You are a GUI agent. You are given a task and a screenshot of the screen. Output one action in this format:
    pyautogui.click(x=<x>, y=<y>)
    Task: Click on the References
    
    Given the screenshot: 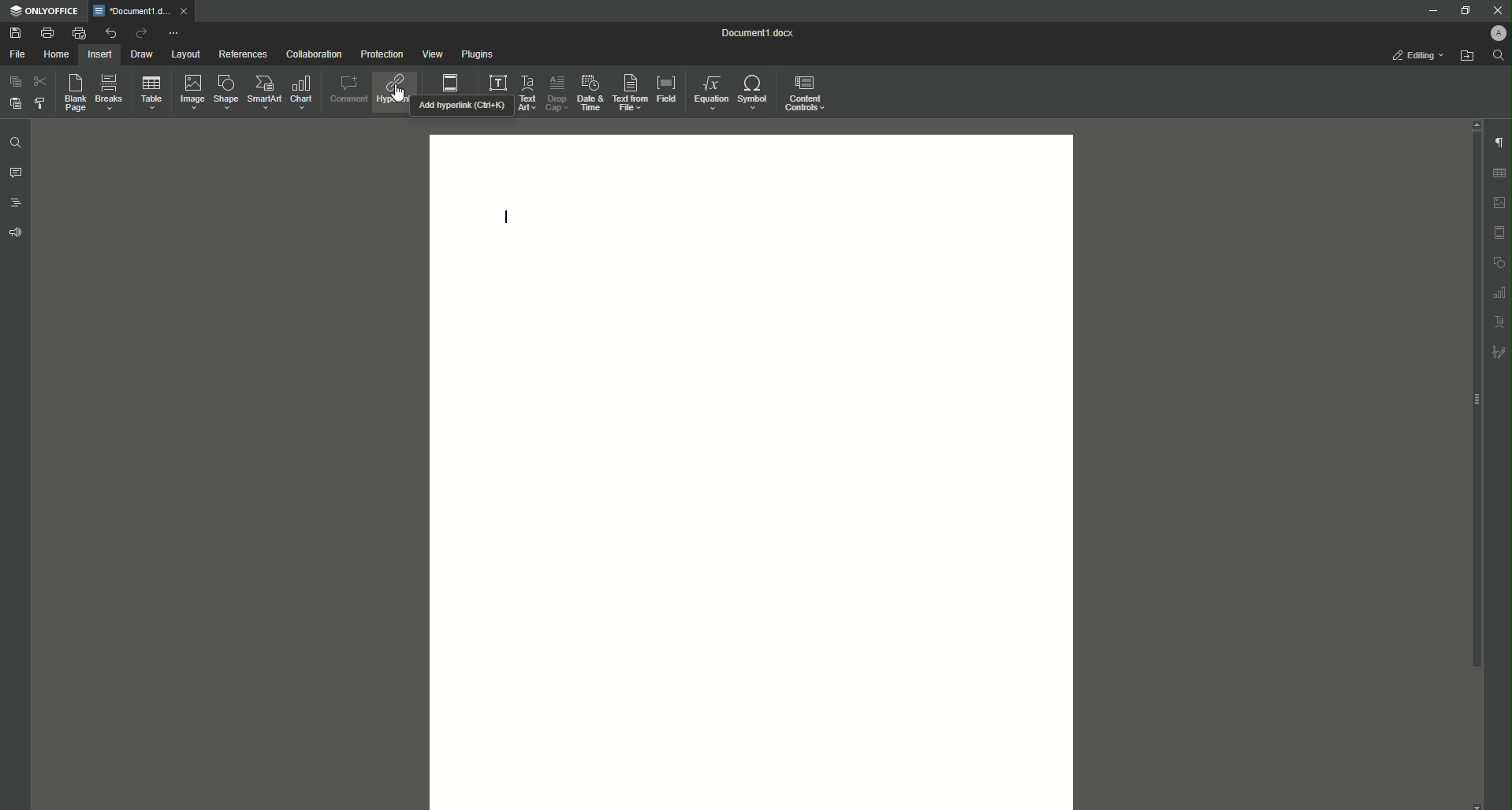 What is the action you would take?
    pyautogui.click(x=243, y=54)
    